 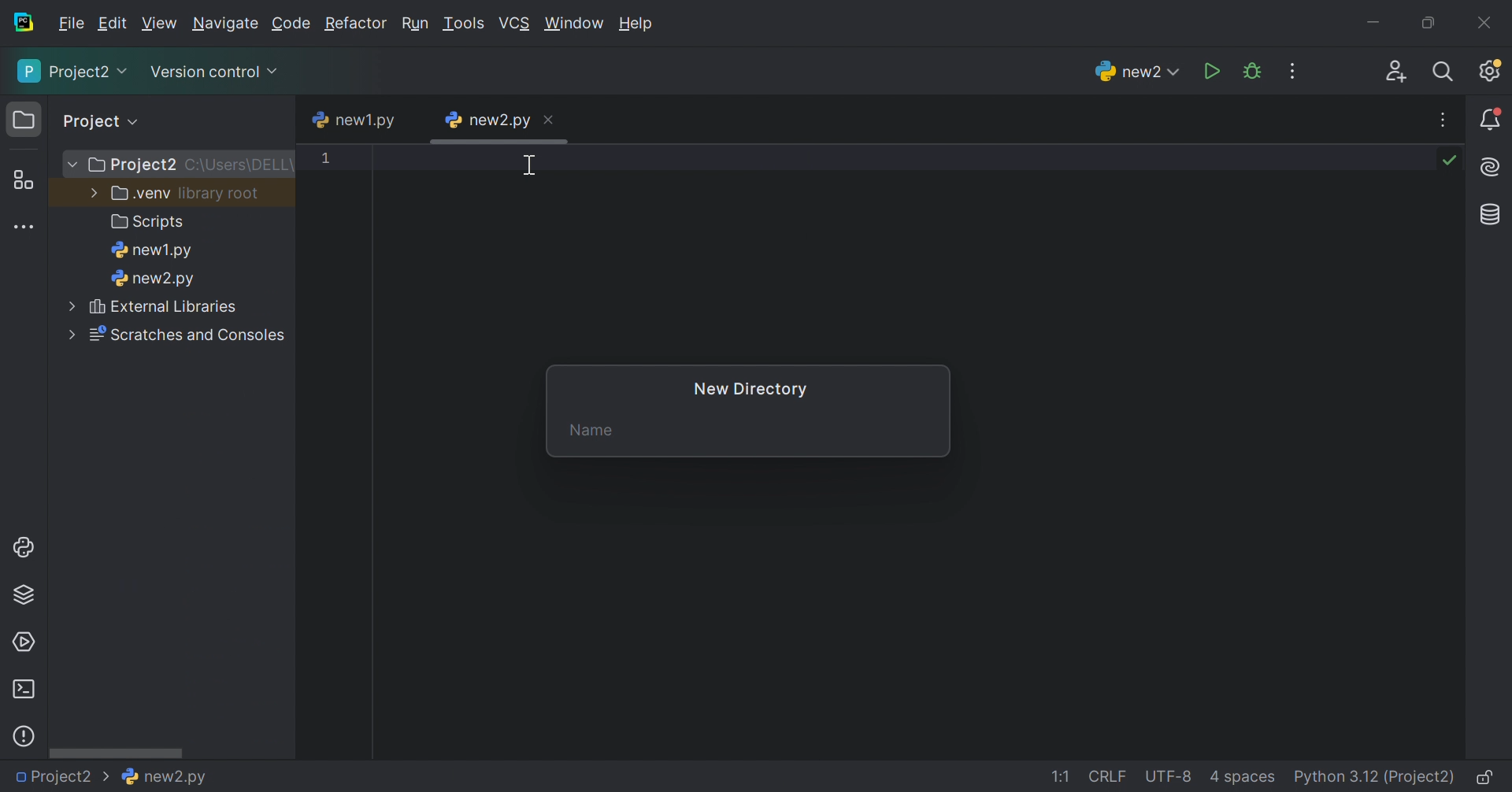 What do you see at coordinates (589, 428) in the screenshot?
I see `Name` at bounding box center [589, 428].